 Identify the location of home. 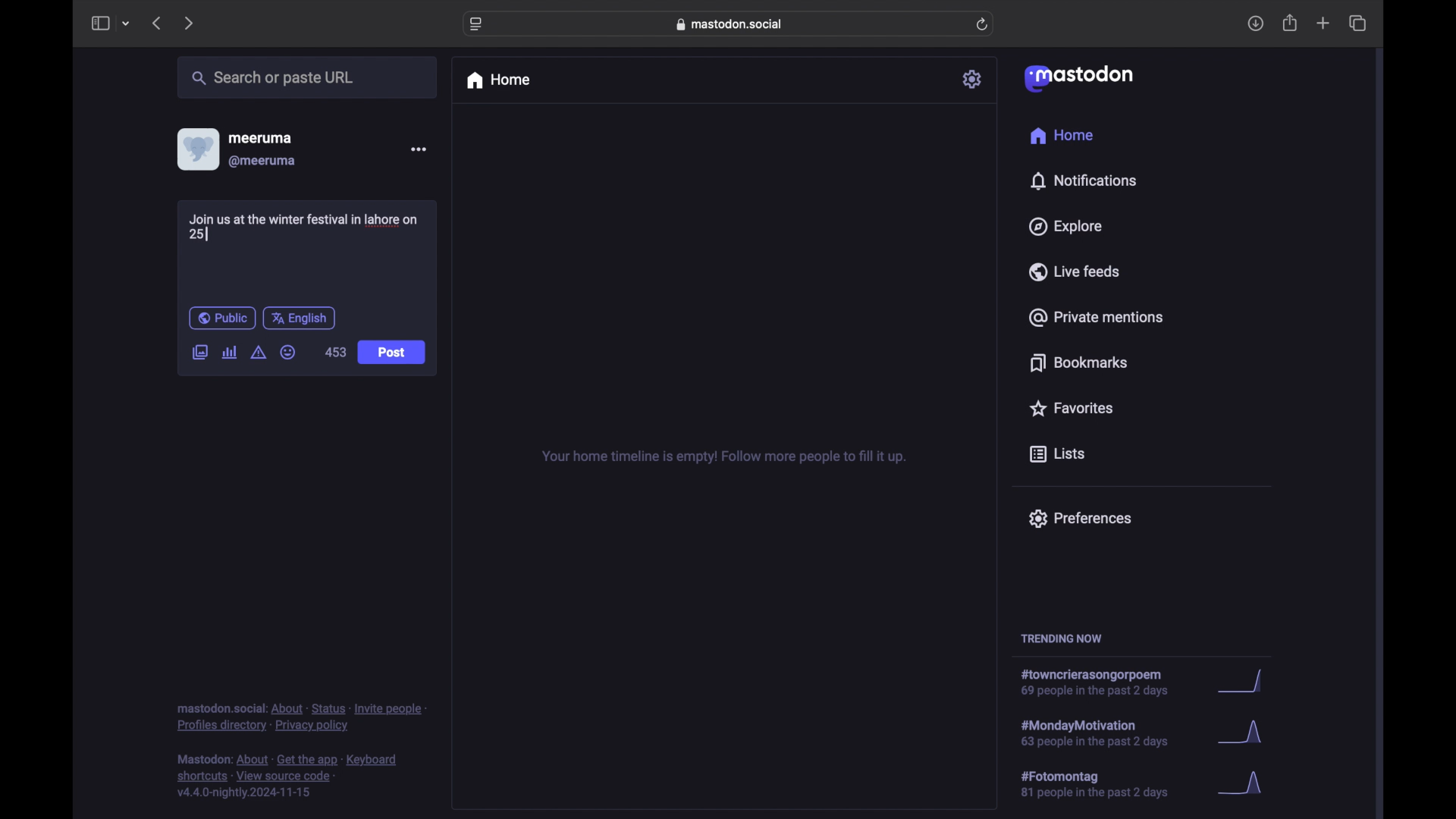
(1061, 136).